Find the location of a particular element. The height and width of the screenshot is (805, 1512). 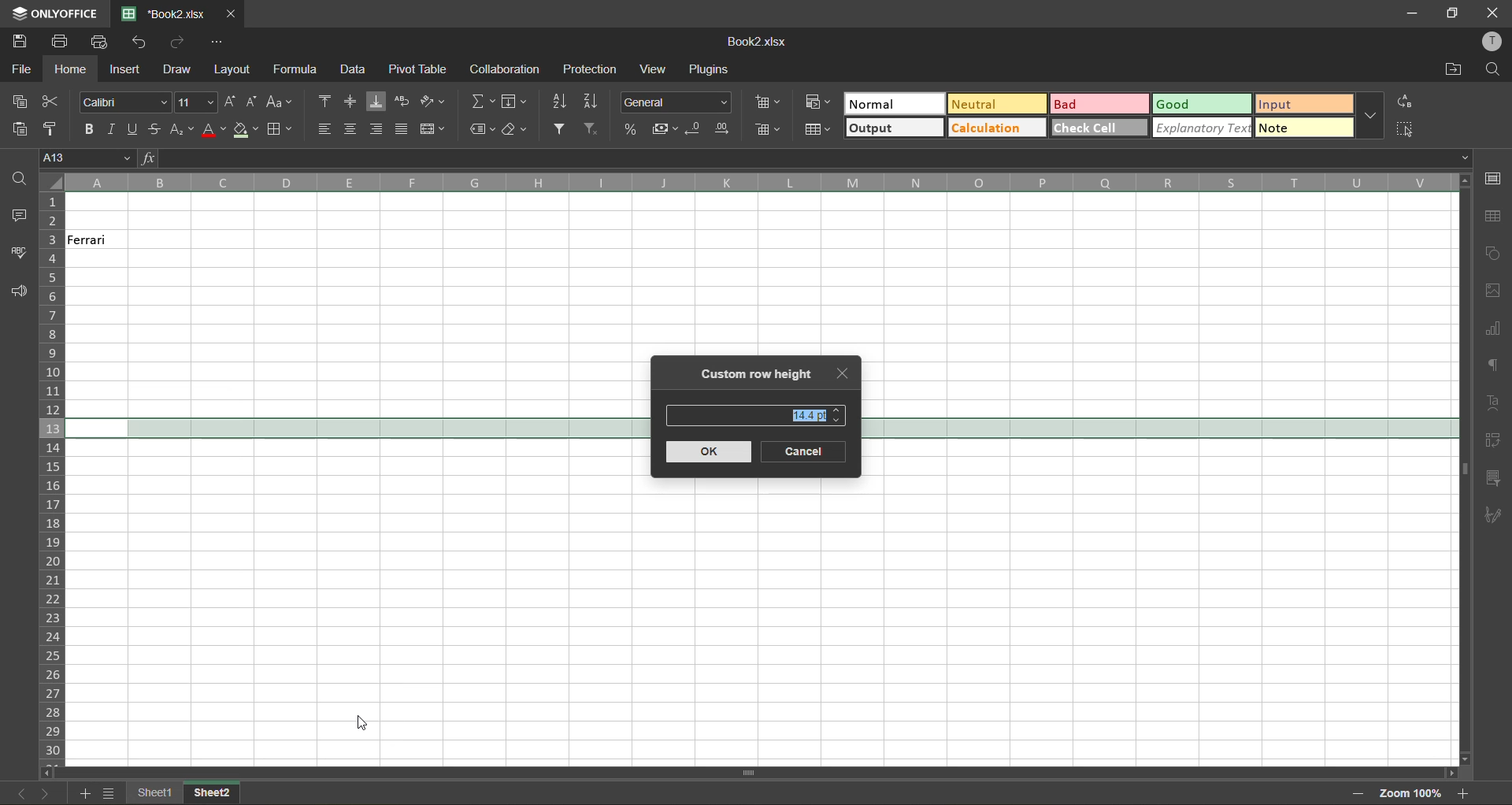

fx is located at coordinates (150, 158).